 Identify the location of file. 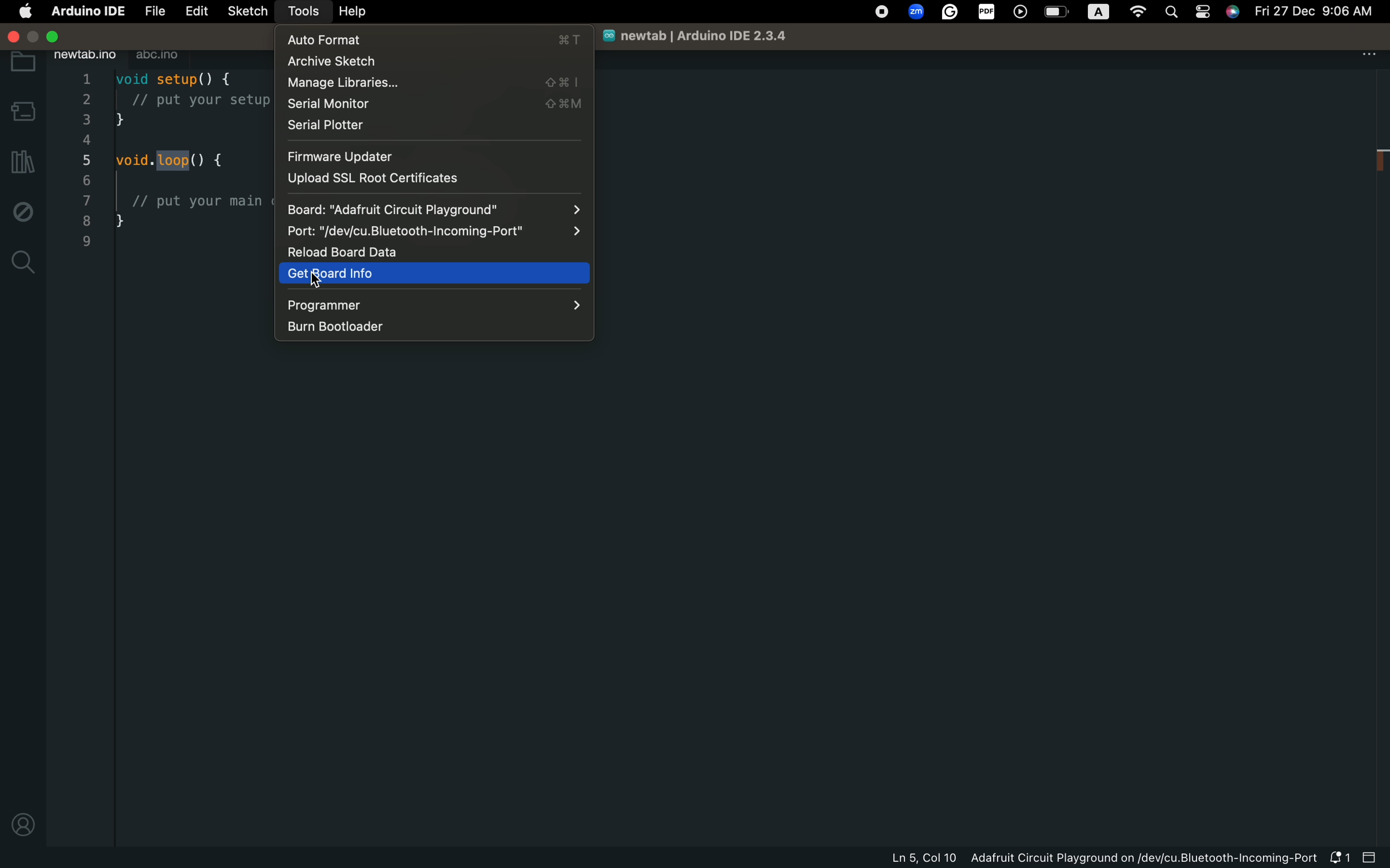
(152, 11).